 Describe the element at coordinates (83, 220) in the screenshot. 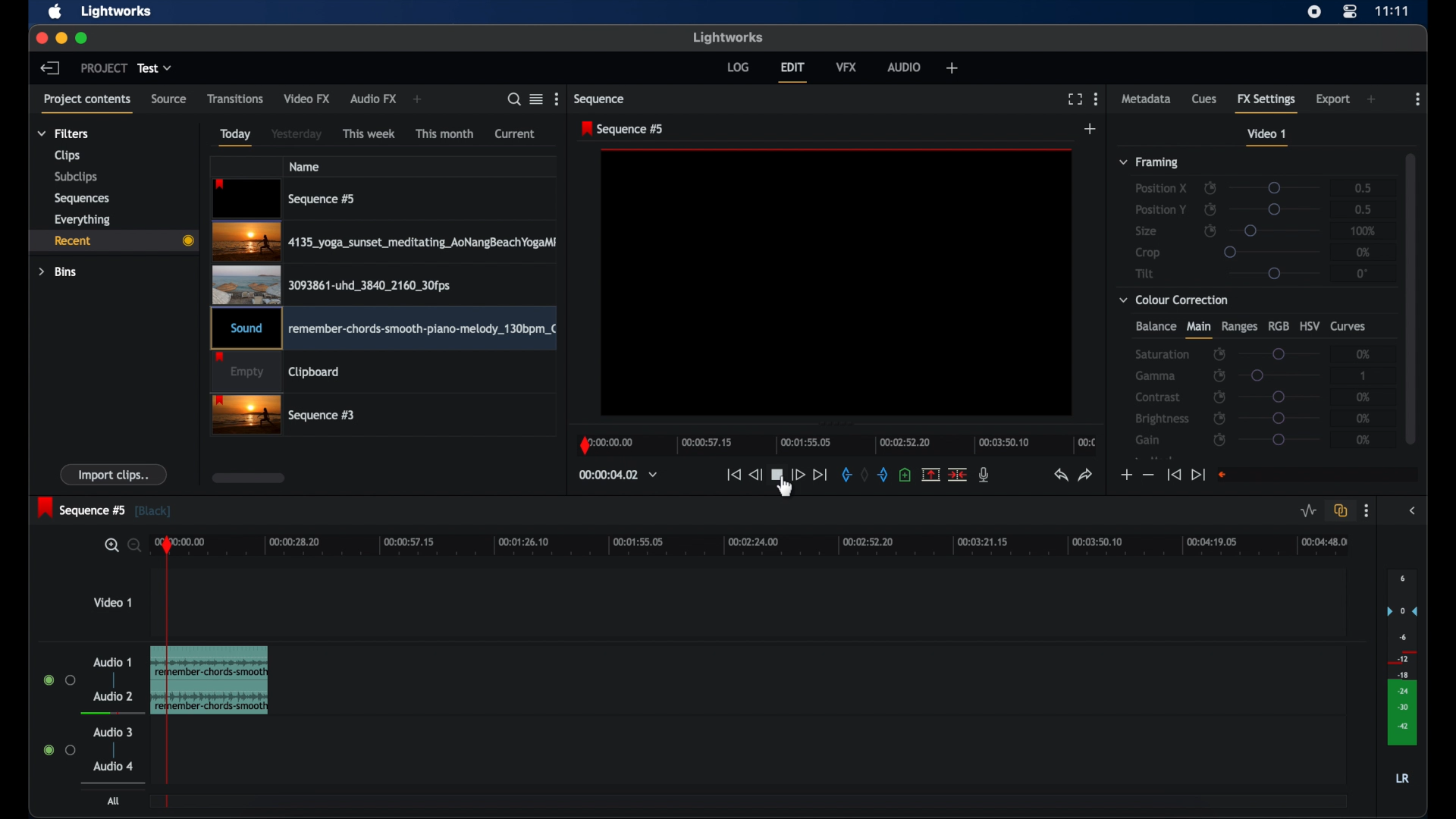

I see `everything` at that location.